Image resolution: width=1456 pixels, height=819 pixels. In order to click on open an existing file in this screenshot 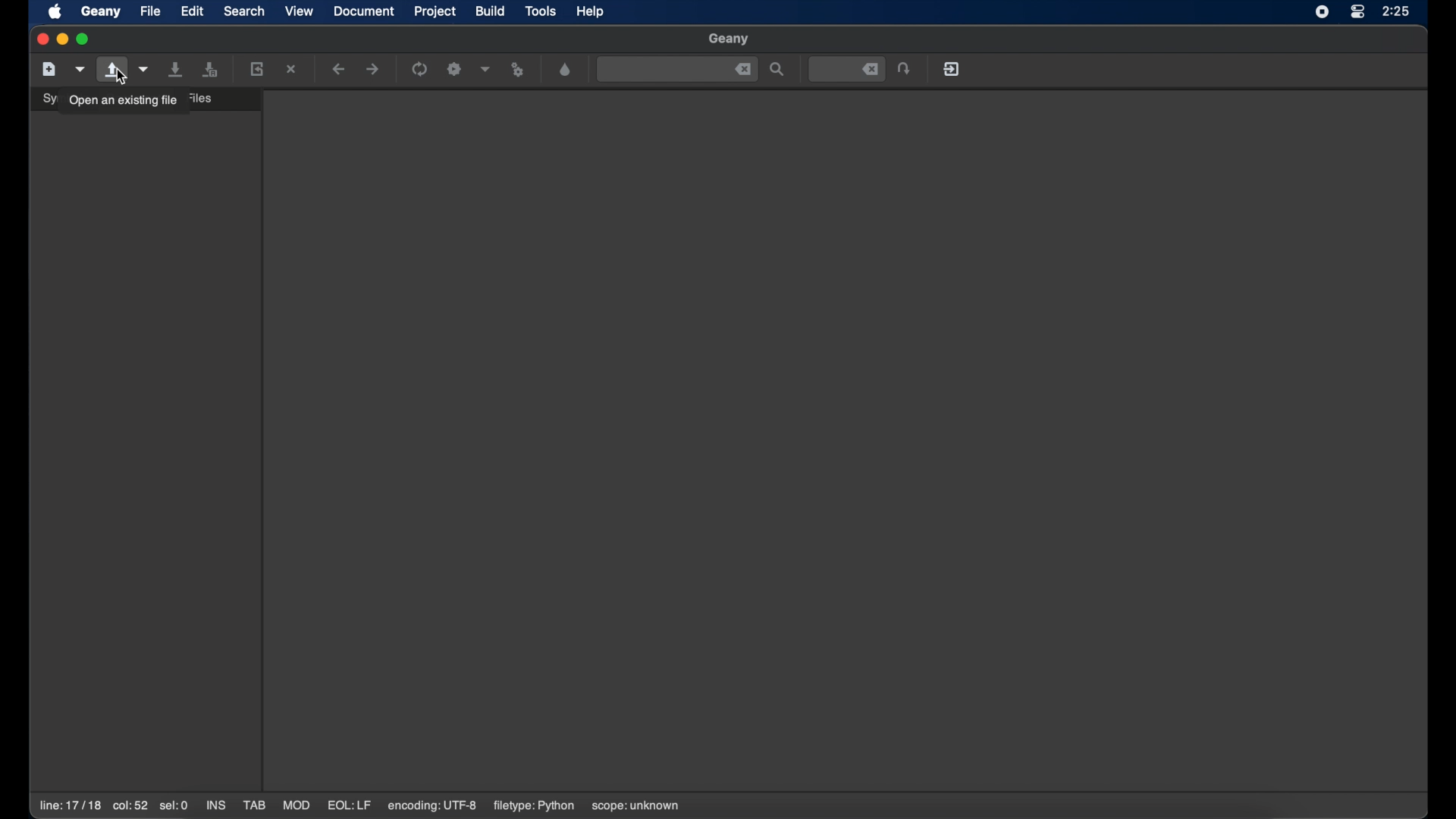, I will do `click(113, 70)`.